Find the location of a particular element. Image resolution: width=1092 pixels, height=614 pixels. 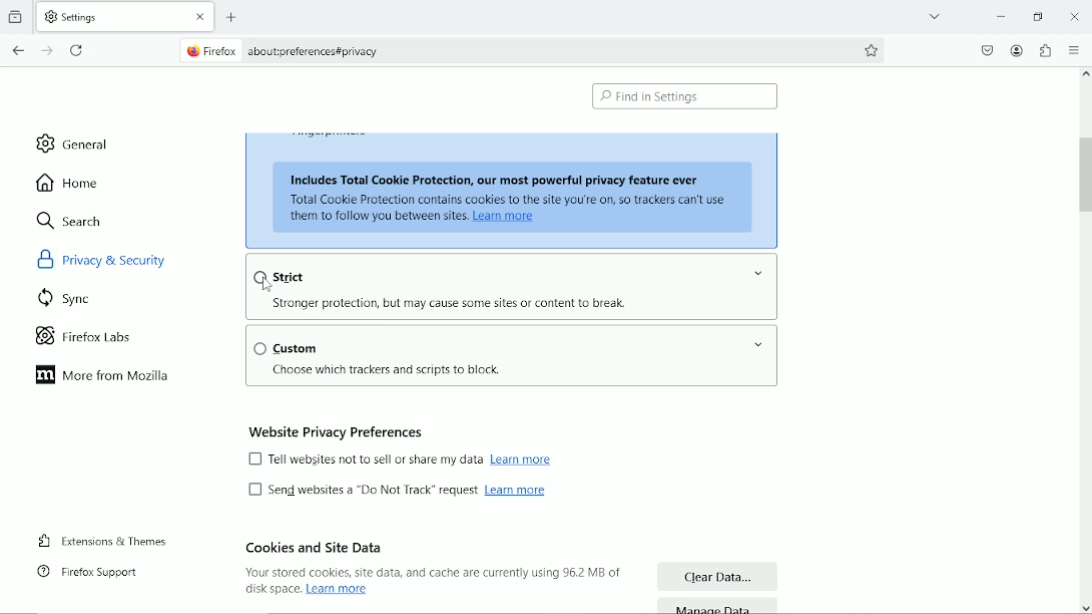

more from mozilla is located at coordinates (103, 375).